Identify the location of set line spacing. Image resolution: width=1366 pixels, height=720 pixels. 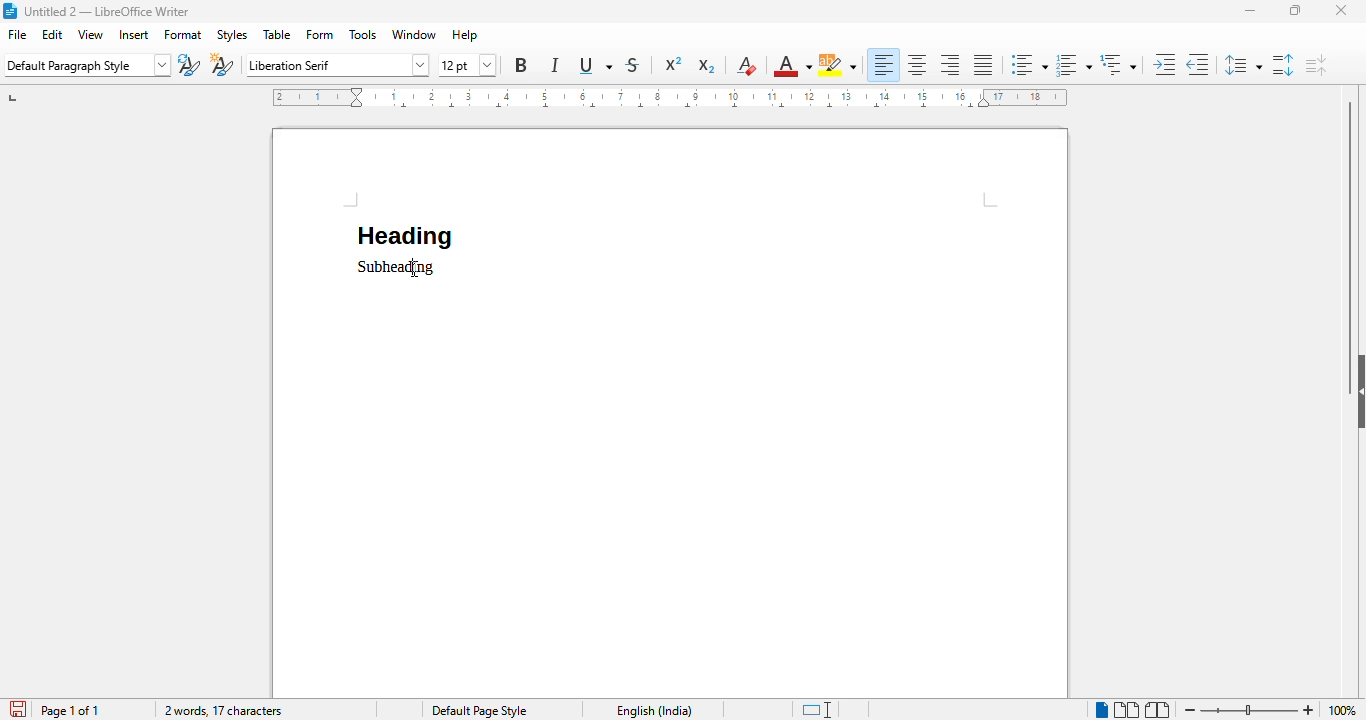
(1241, 65).